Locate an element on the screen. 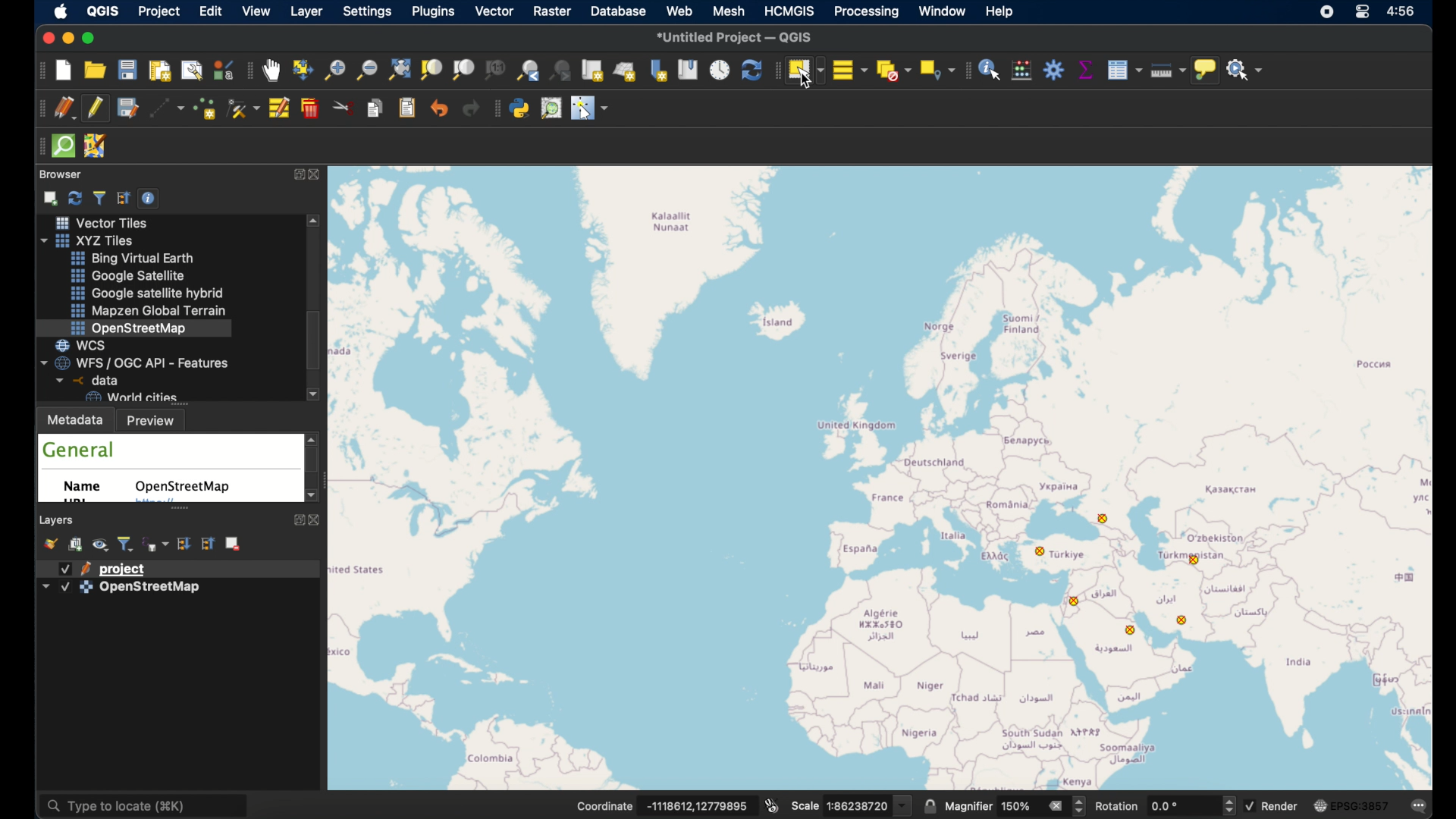 The image size is (1456, 819). zoom to native resolution is located at coordinates (497, 71).